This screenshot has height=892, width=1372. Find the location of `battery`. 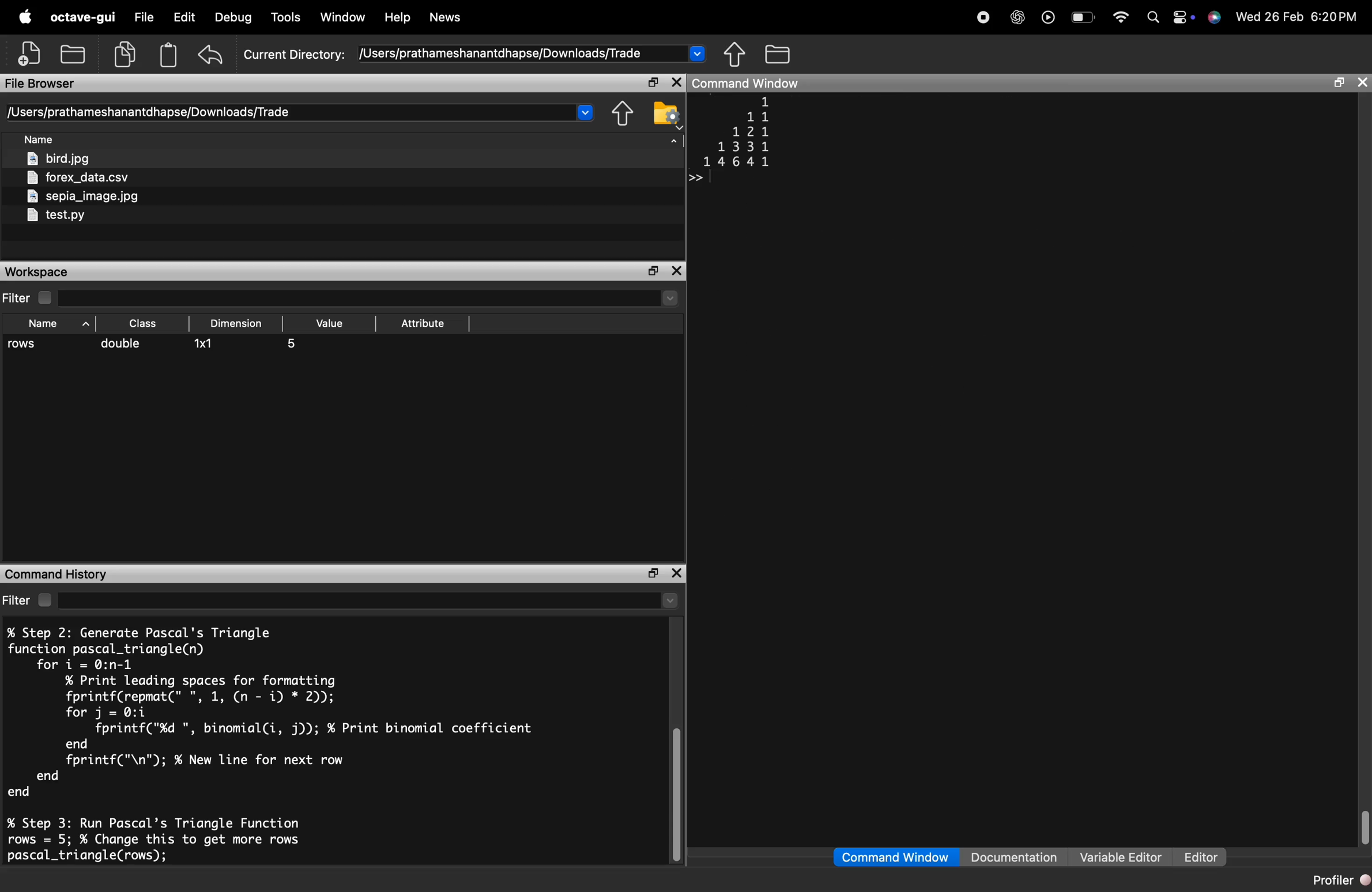

battery is located at coordinates (1084, 17).